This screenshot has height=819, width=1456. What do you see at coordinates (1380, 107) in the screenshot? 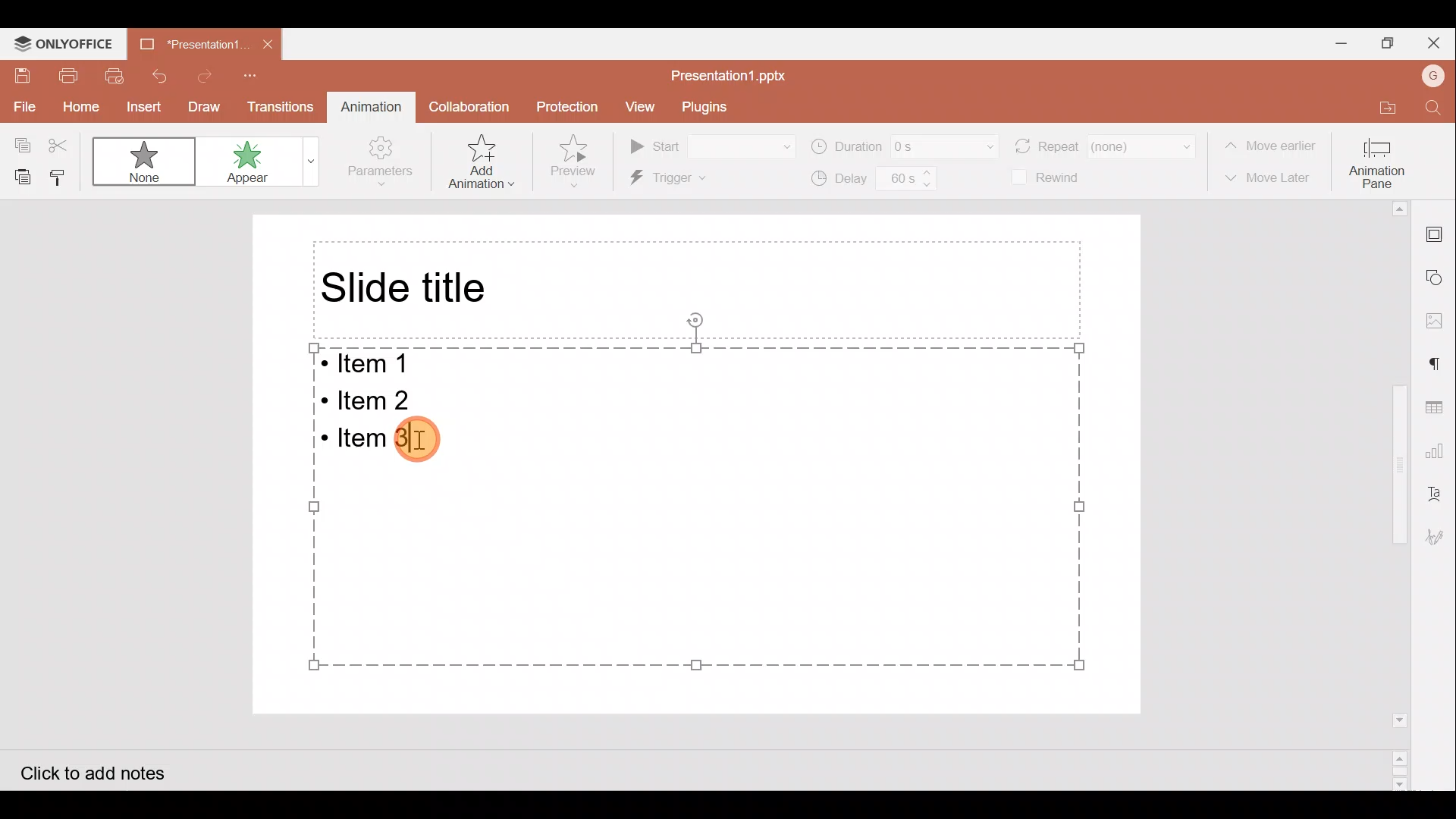
I see `Open file location` at bounding box center [1380, 107].